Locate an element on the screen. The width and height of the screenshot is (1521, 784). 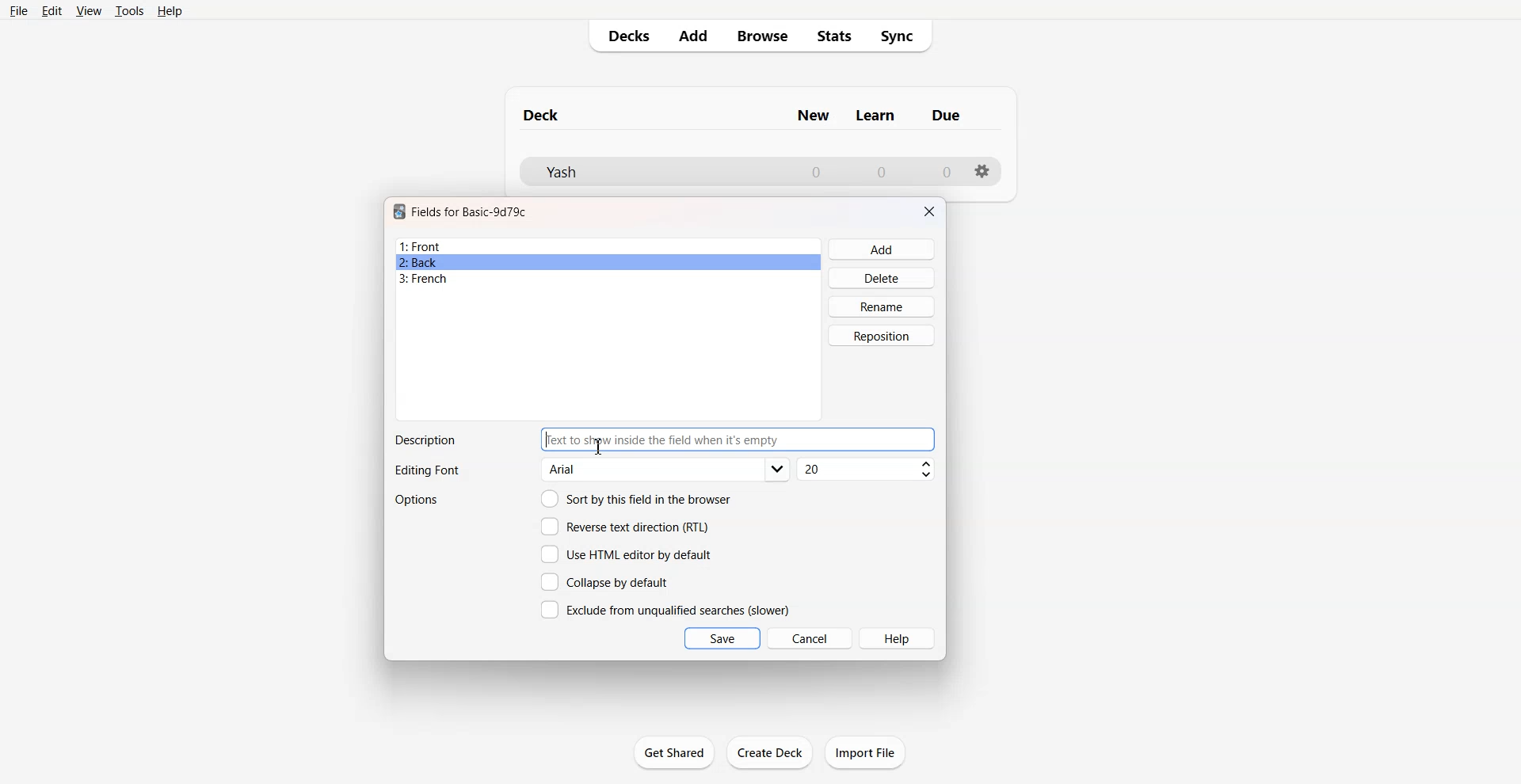
French is located at coordinates (608, 279).